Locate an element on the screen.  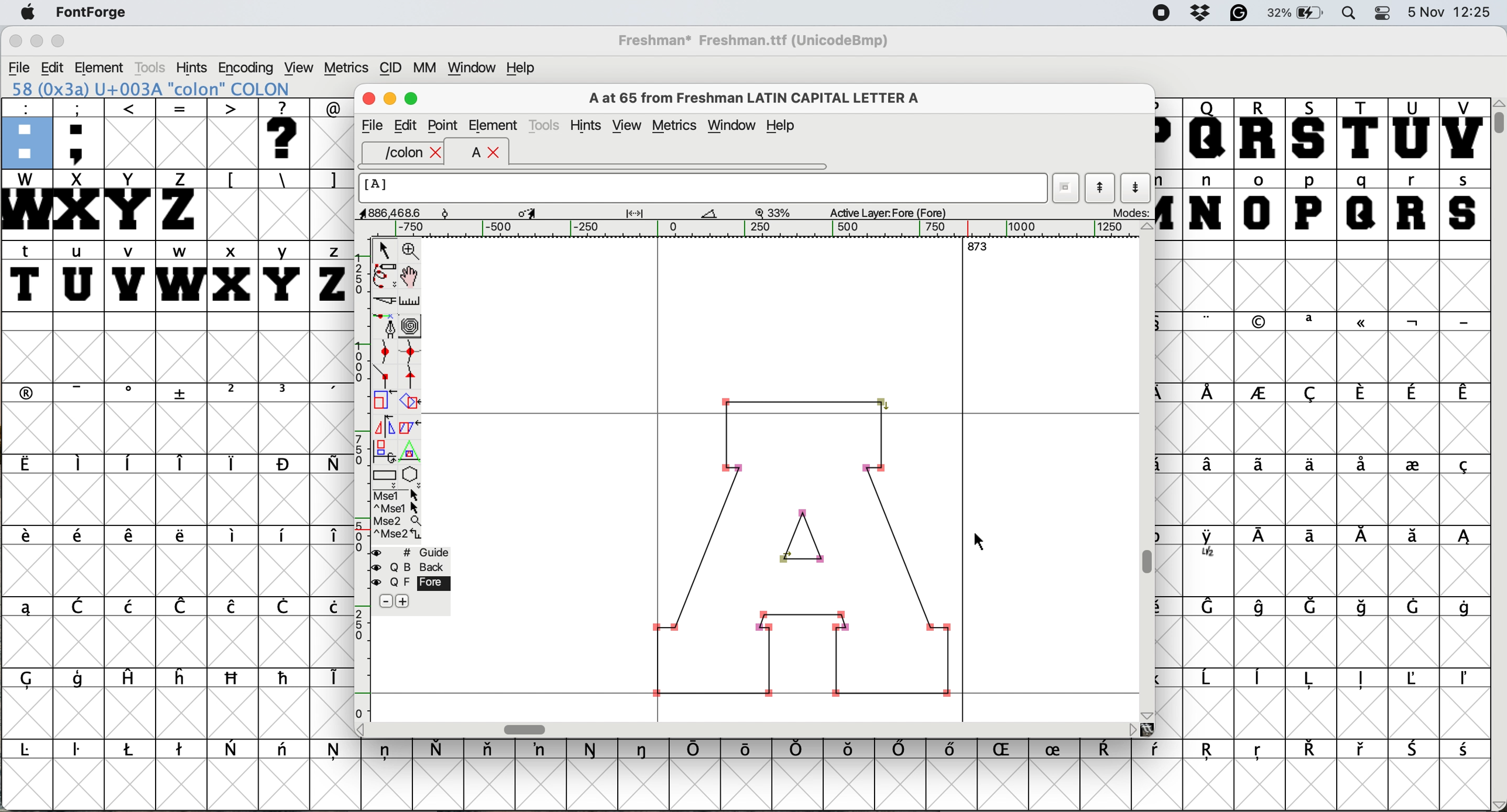
minimise is located at coordinates (35, 41).